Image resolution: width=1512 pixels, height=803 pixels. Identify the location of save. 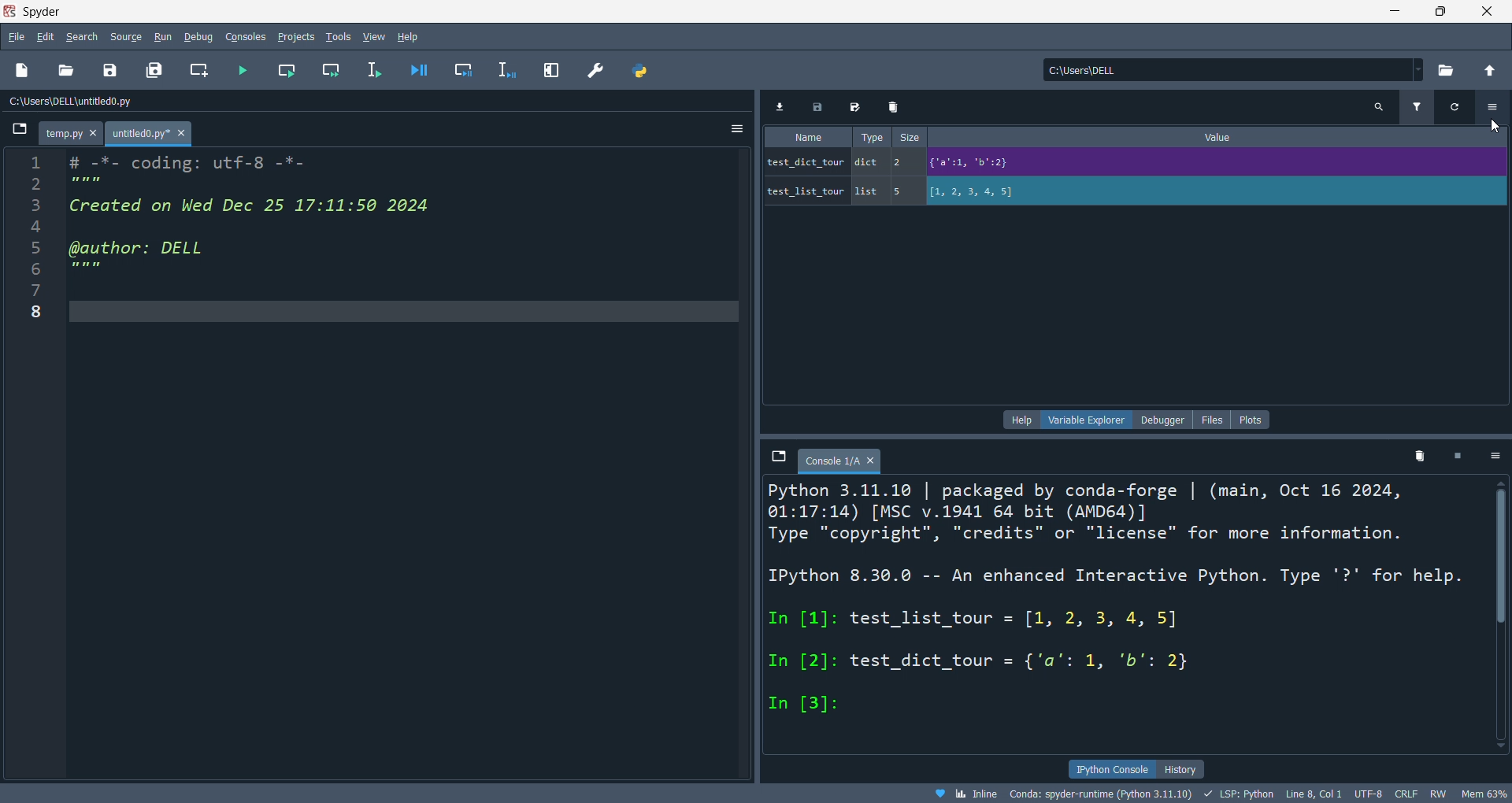
(820, 107).